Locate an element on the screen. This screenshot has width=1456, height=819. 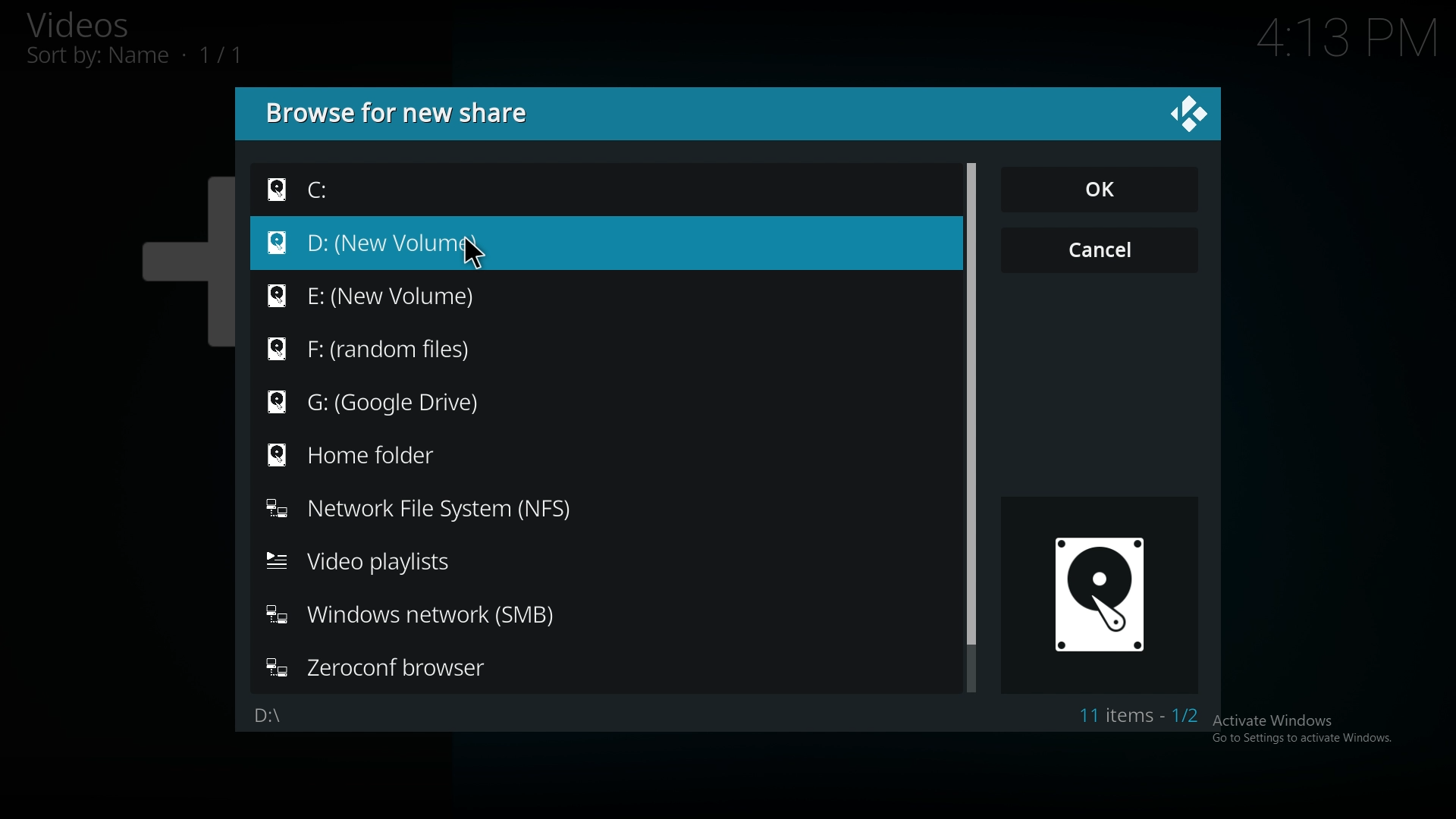
ok is located at coordinates (1099, 188).